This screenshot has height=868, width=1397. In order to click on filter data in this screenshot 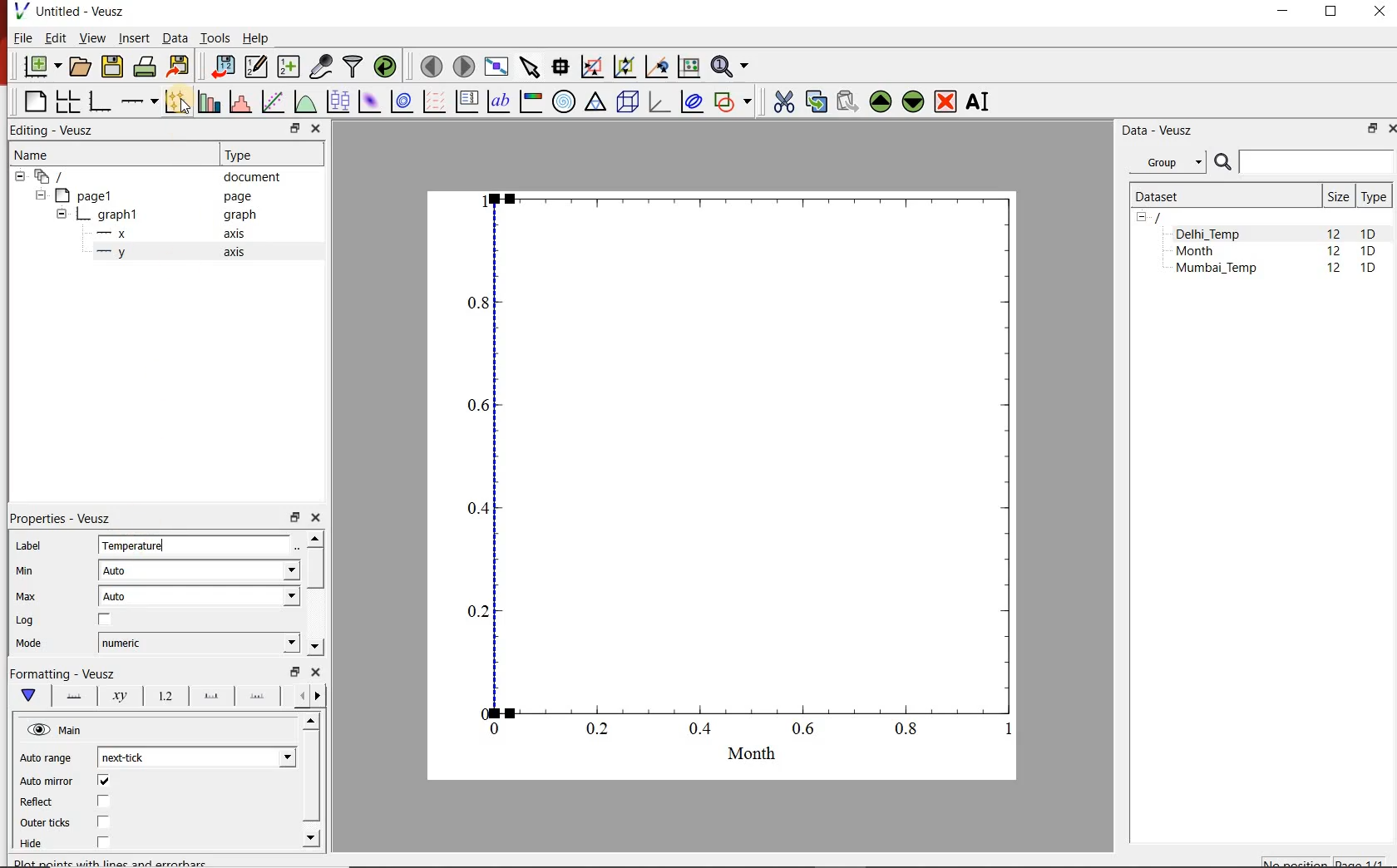, I will do `click(353, 67)`.